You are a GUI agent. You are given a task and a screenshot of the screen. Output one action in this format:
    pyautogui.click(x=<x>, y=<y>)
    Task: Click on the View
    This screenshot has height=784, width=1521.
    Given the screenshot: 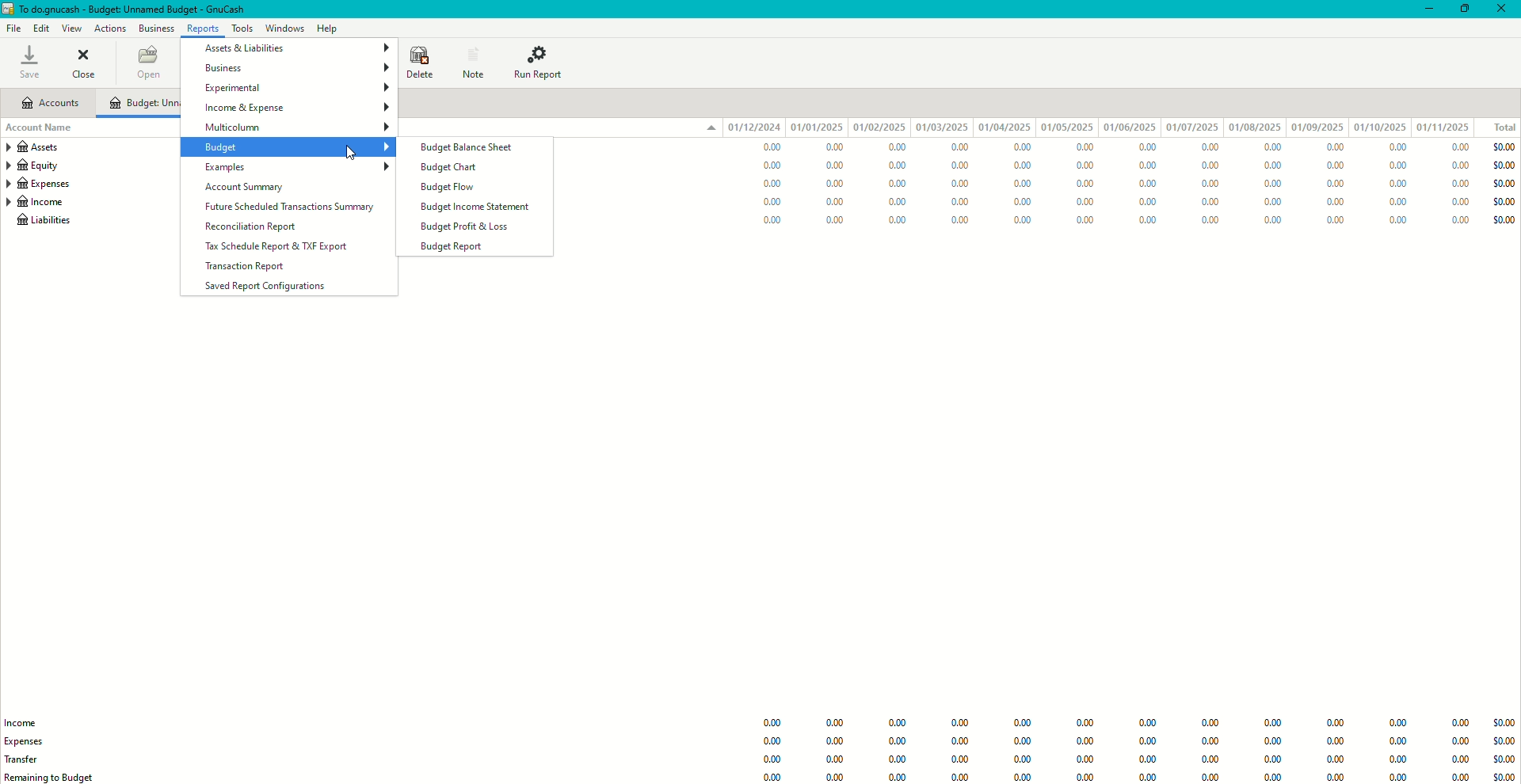 What is the action you would take?
    pyautogui.click(x=71, y=29)
    